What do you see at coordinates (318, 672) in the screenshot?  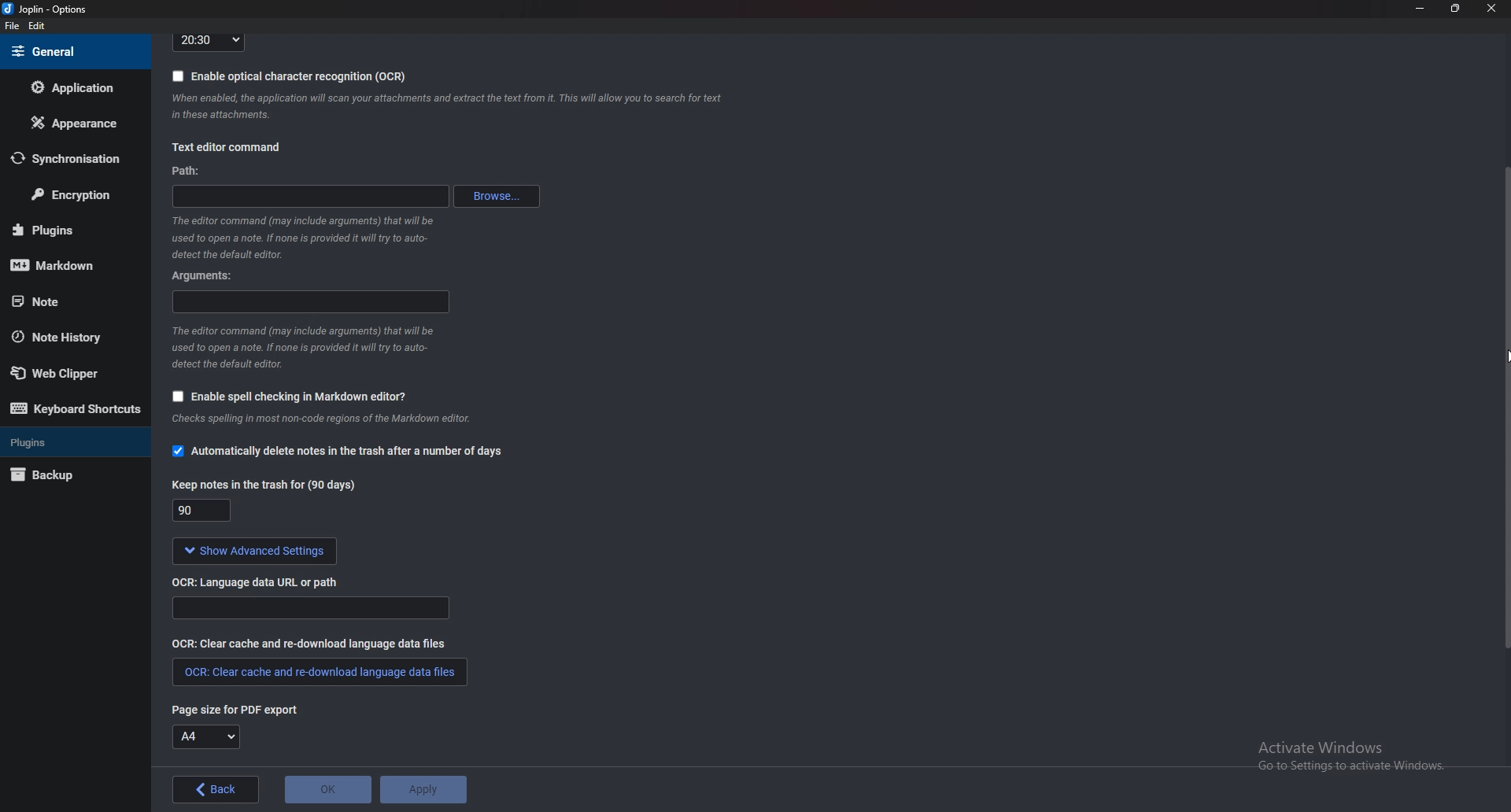 I see `O C R clear cache and redownload language data` at bounding box center [318, 672].